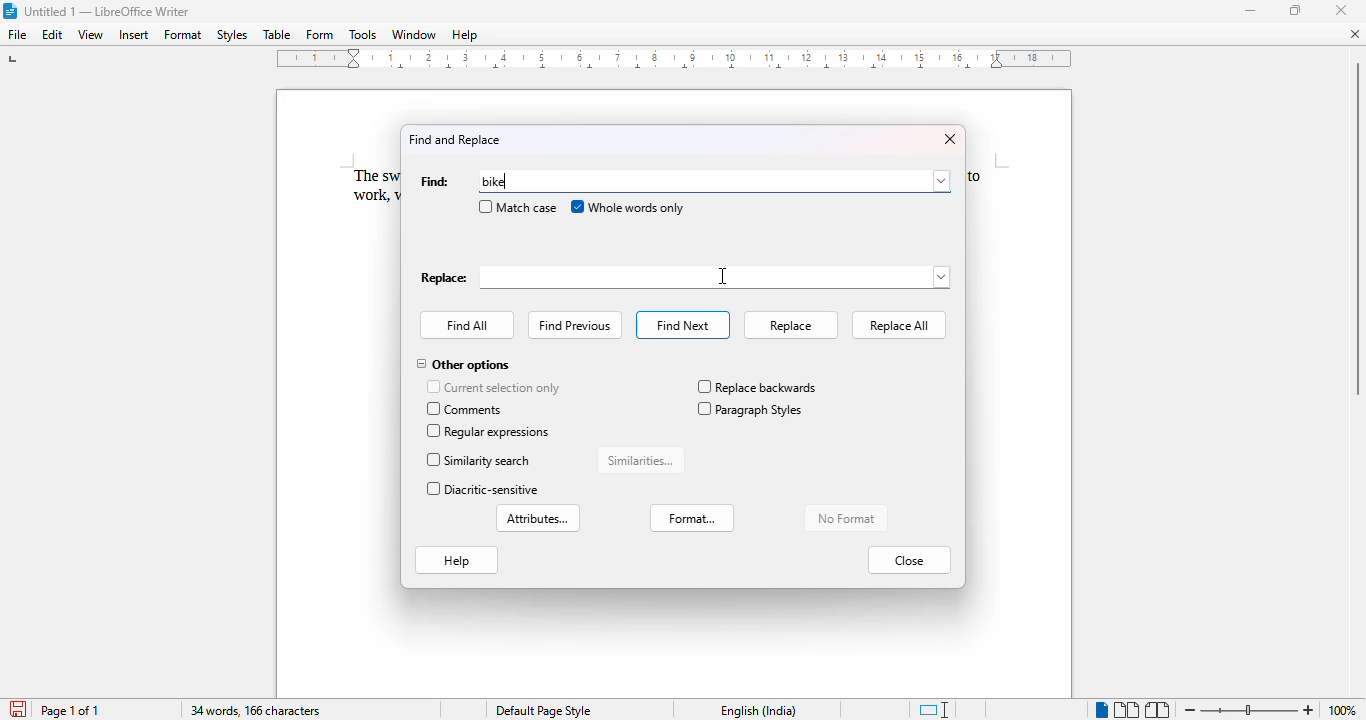  Describe the element at coordinates (9, 10) in the screenshot. I see `LibreOffice logo` at that location.